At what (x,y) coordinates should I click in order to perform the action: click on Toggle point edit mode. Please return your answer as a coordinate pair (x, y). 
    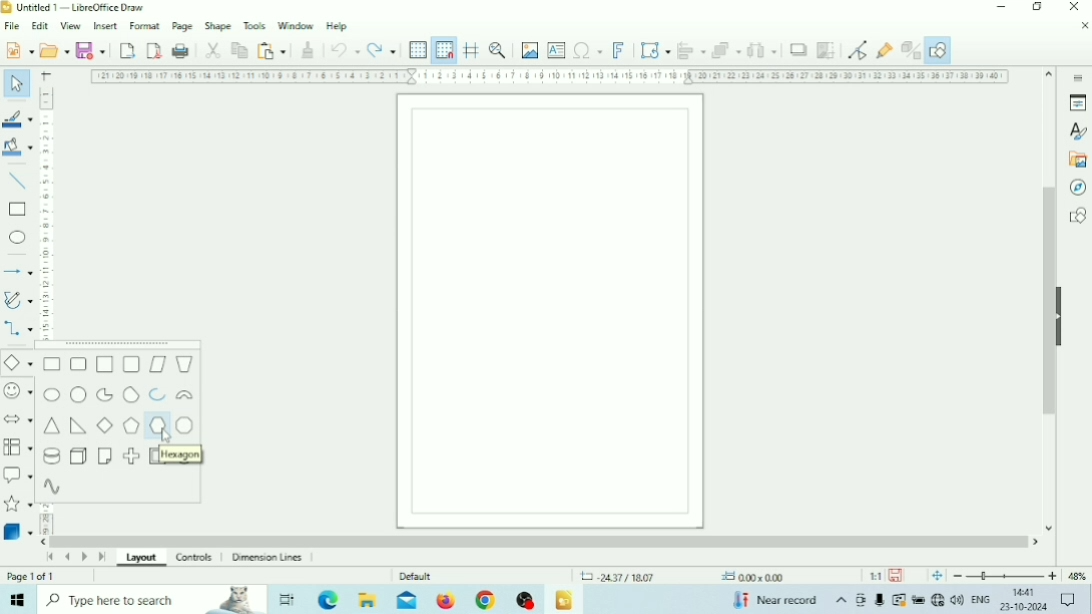
    Looking at the image, I should click on (858, 50).